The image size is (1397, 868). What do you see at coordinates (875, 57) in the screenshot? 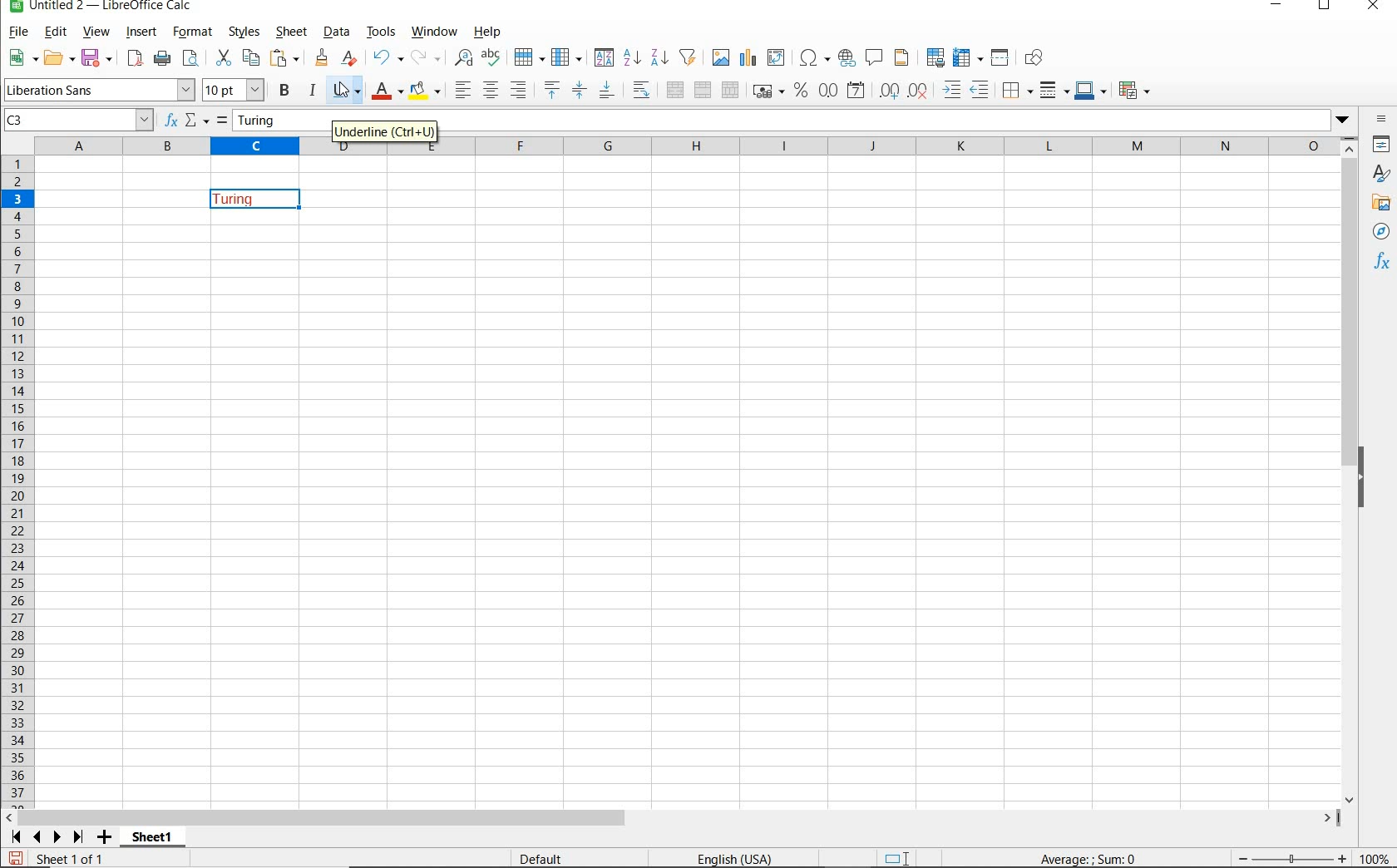
I see `INSERT COMMENT` at bounding box center [875, 57].